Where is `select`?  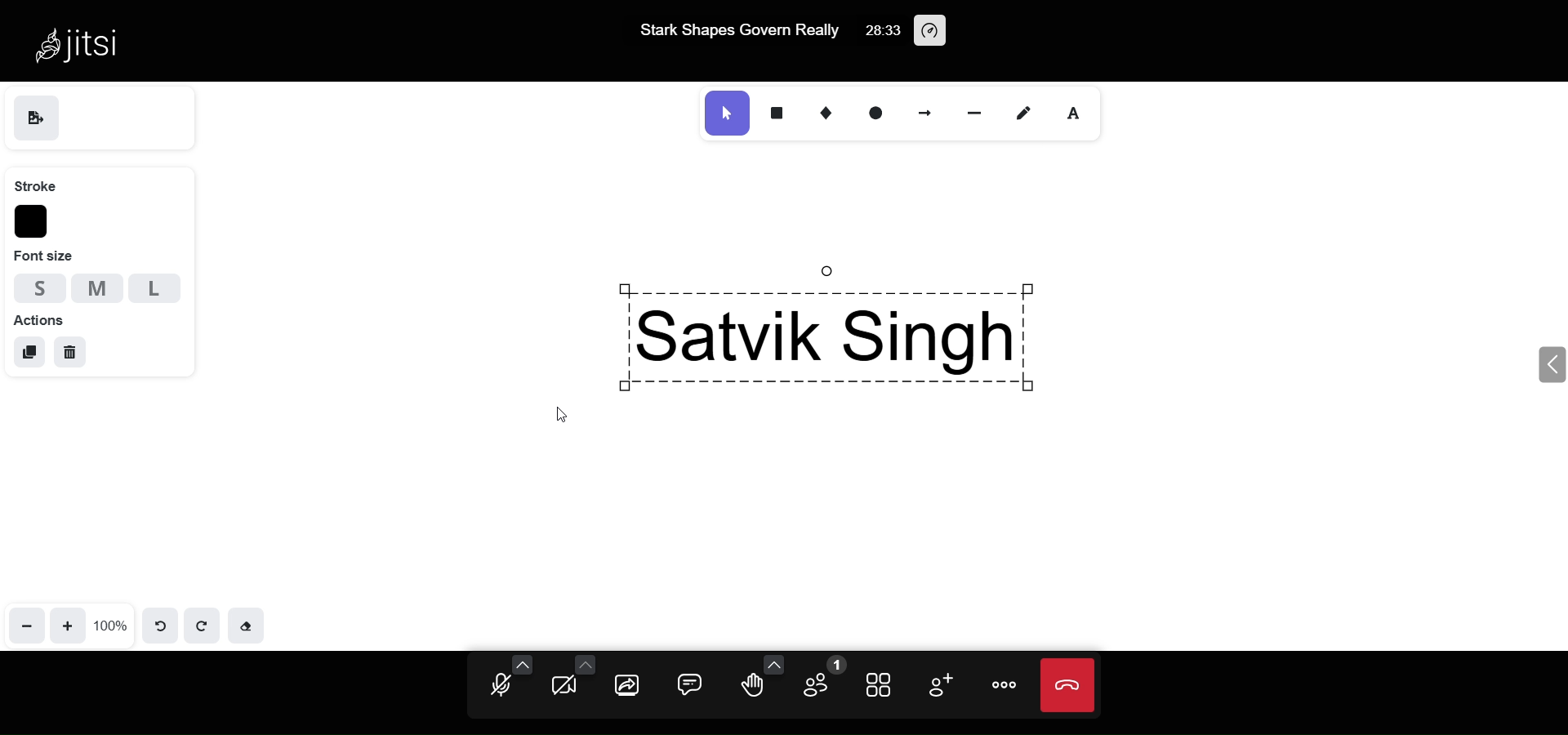 select is located at coordinates (728, 112).